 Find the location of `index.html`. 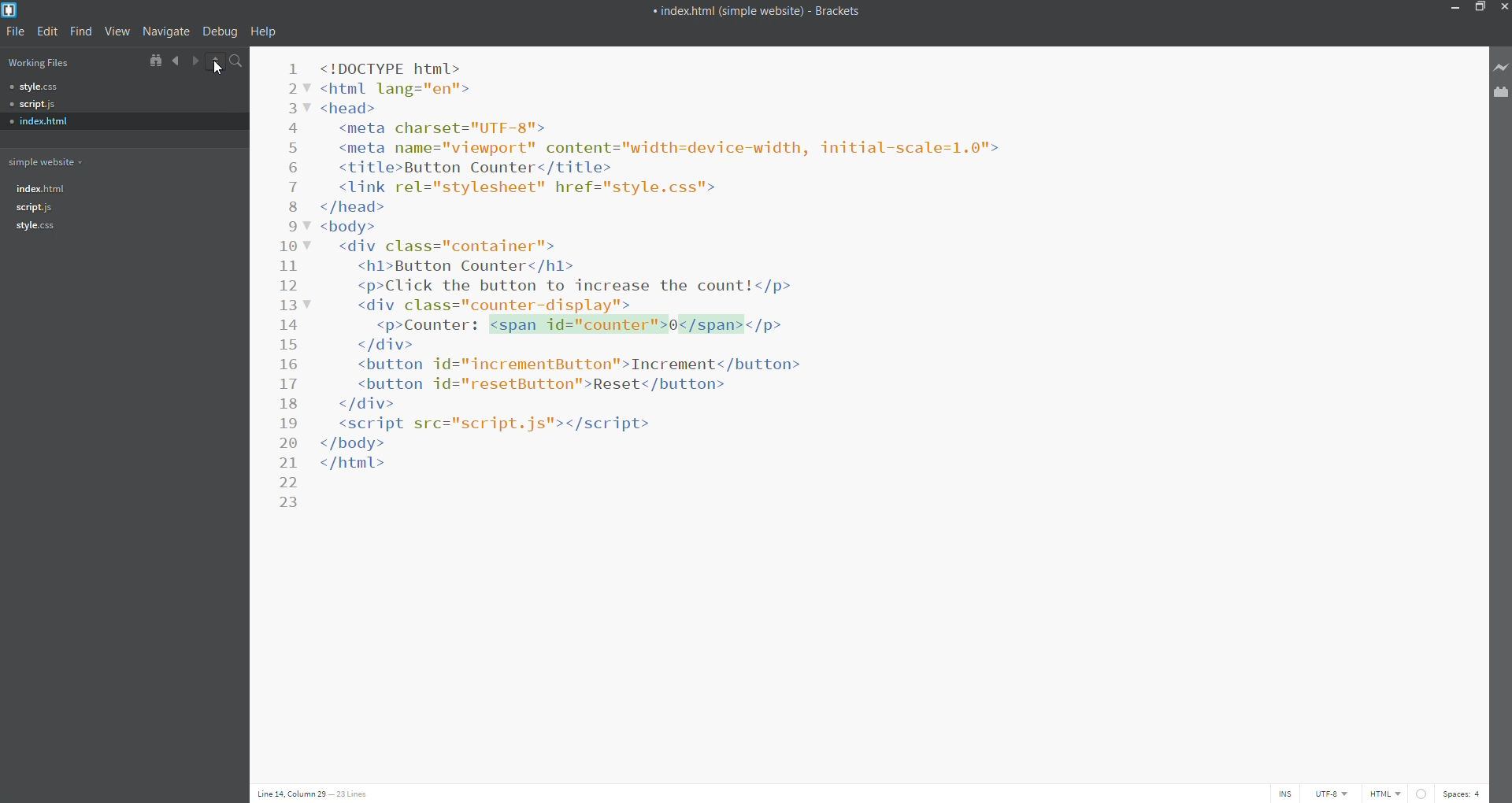

index.html is located at coordinates (124, 189).